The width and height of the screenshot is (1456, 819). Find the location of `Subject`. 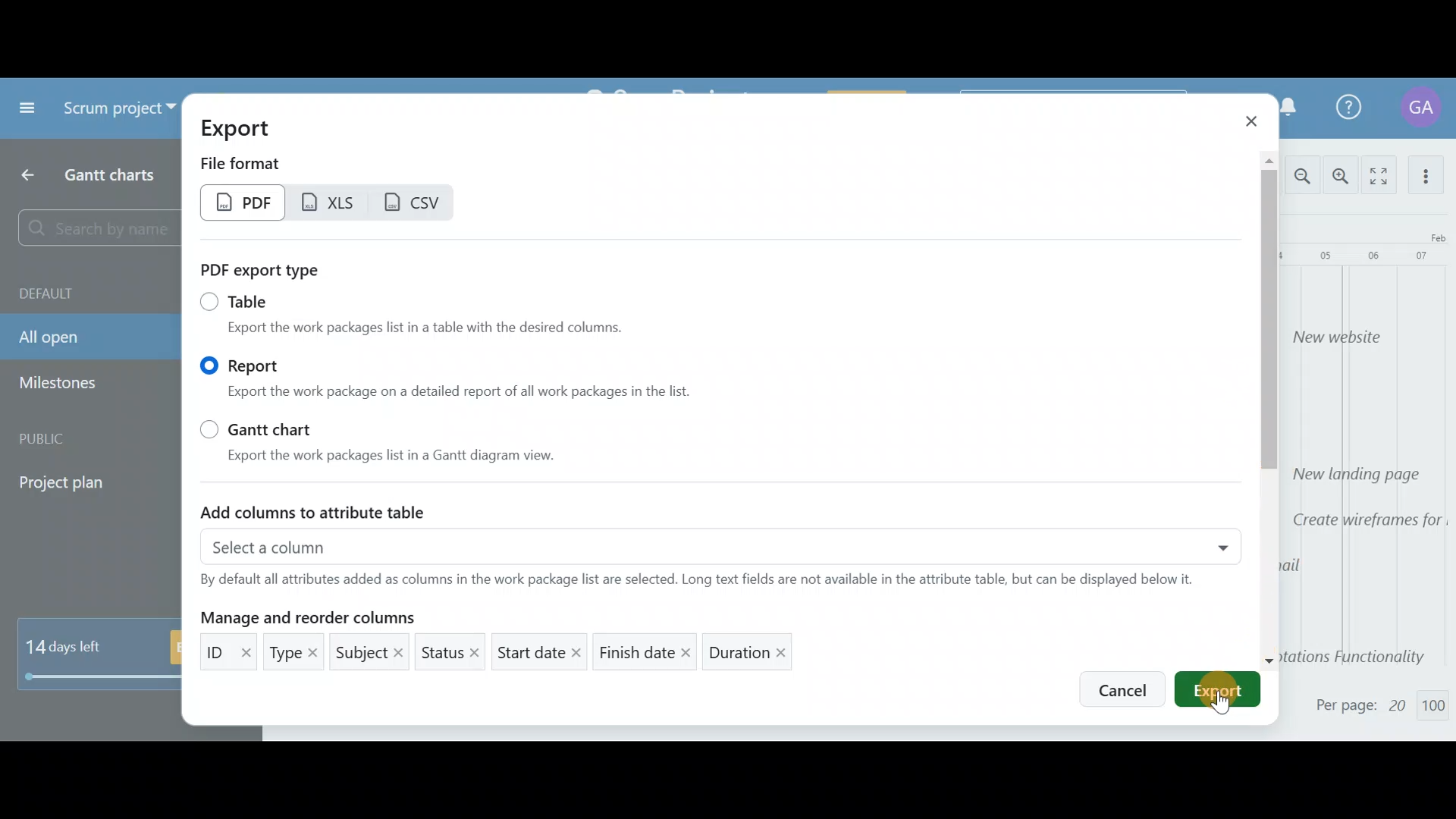

Subject is located at coordinates (369, 650).